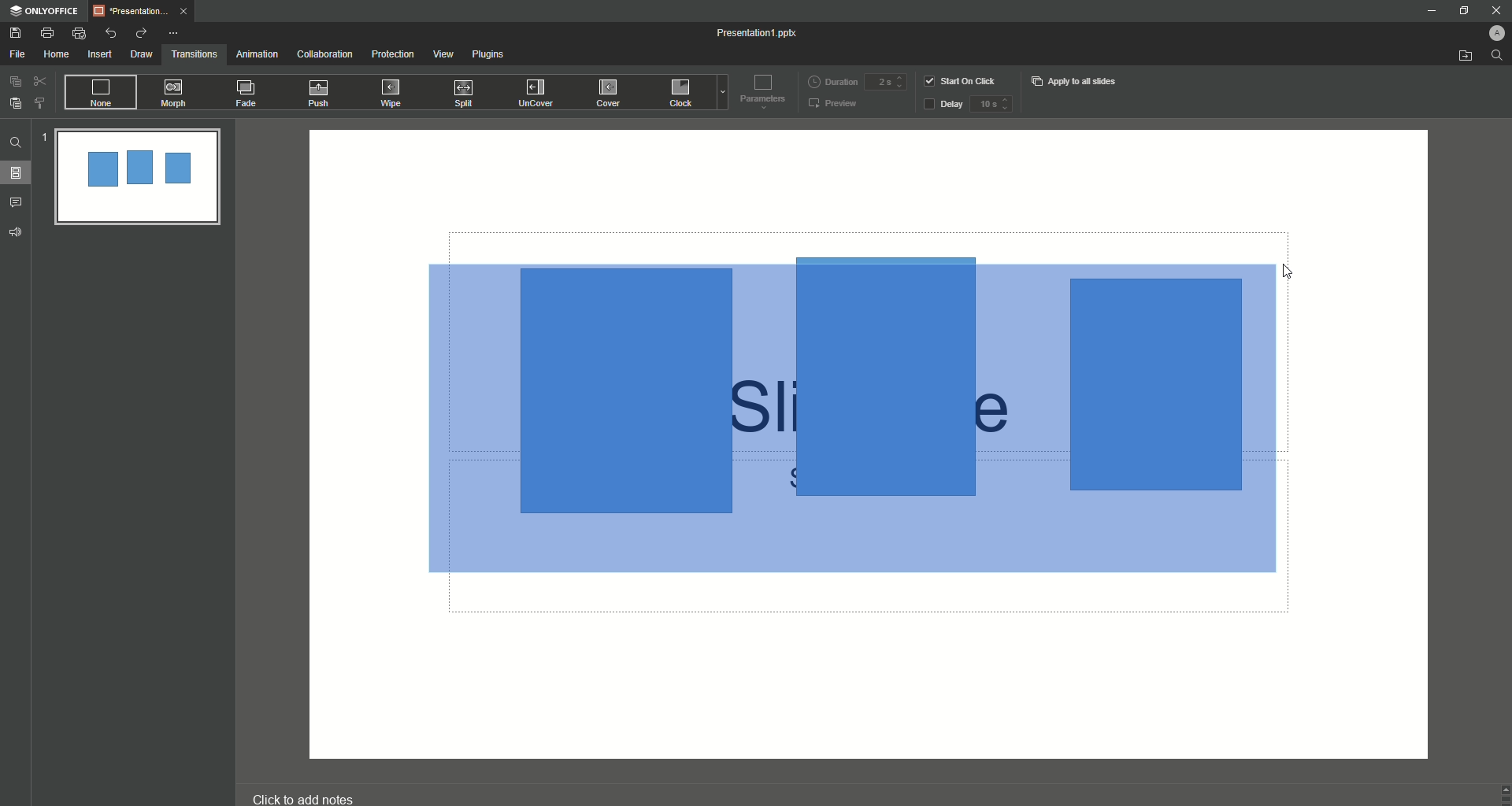 The image size is (1512, 806). I want to click on dropdown, so click(720, 94).